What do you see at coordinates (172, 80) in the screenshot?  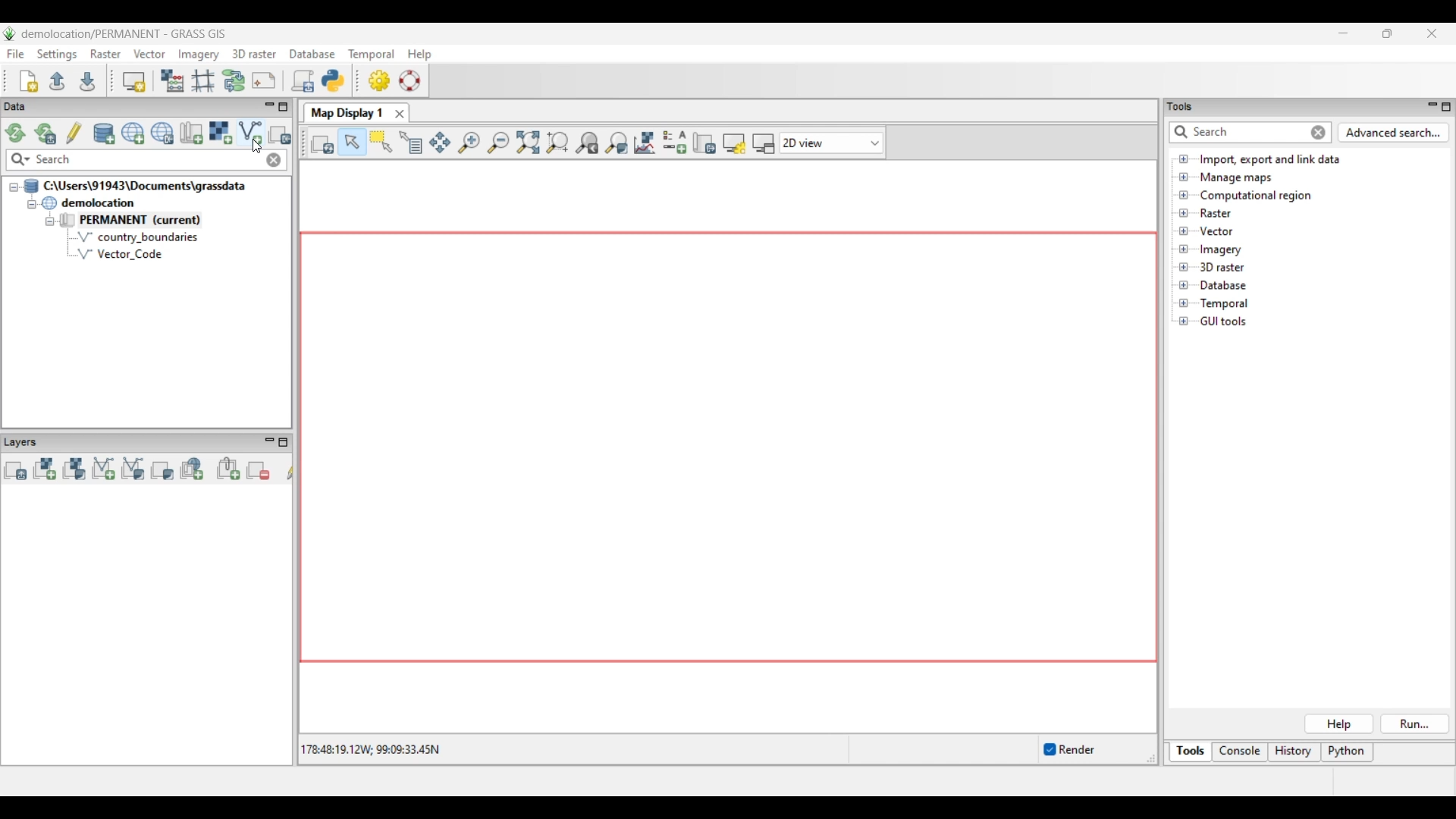 I see `Raster map calculator` at bounding box center [172, 80].